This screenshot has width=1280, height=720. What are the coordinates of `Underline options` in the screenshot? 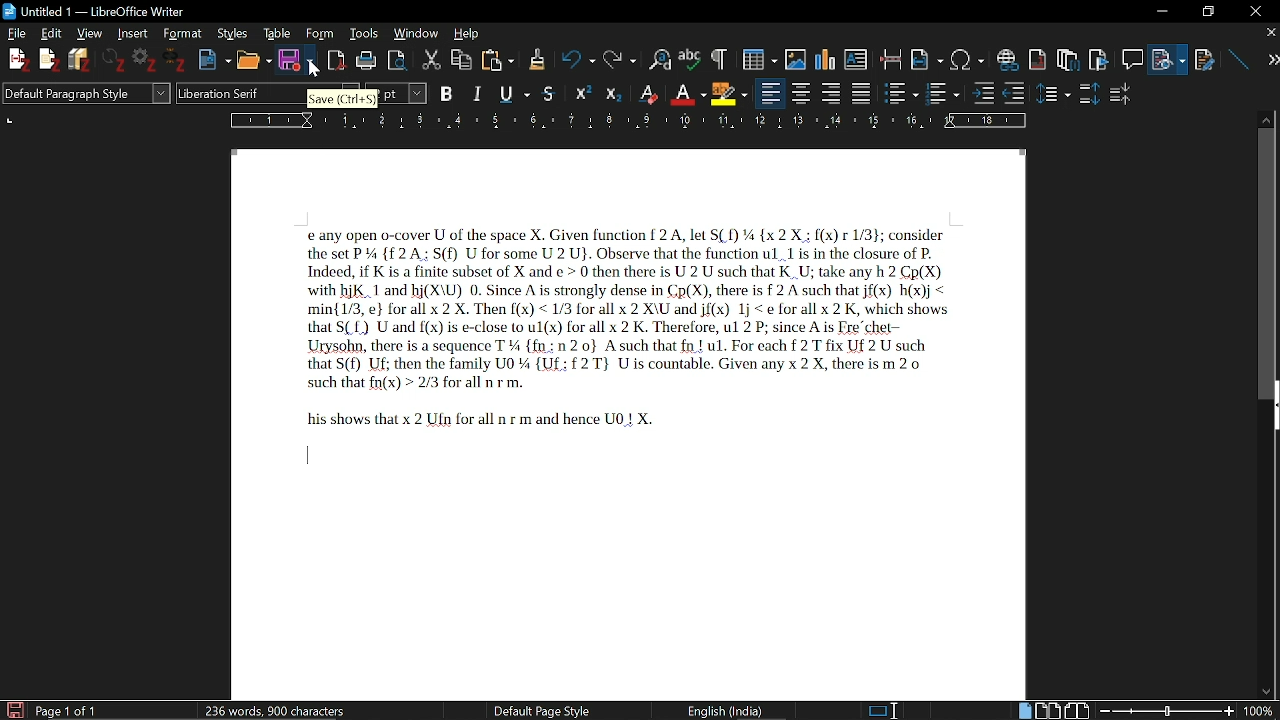 It's located at (512, 91).